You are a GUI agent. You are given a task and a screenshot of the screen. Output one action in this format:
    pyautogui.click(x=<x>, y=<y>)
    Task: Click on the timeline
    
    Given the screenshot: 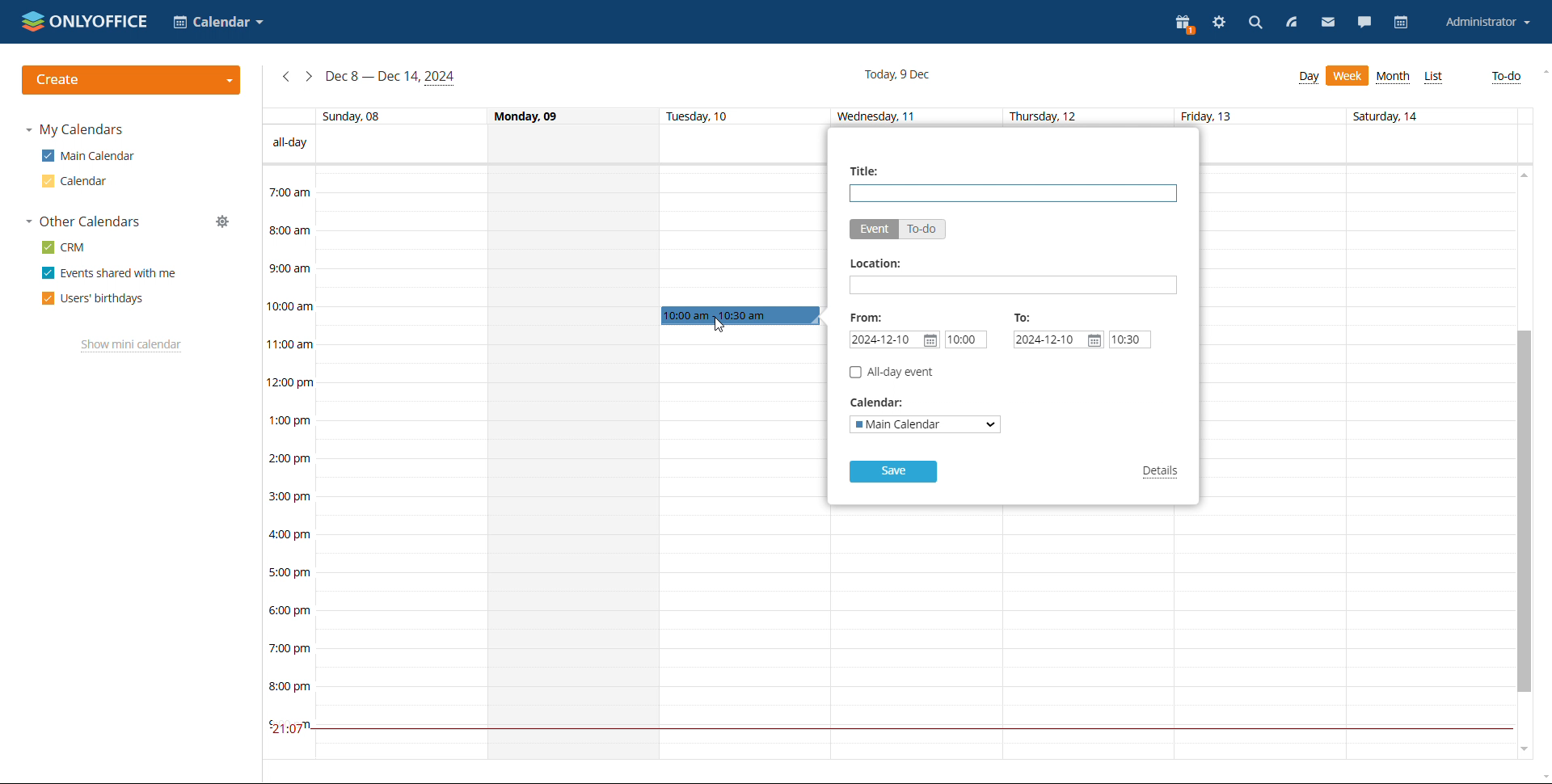 What is the action you would take?
    pyautogui.click(x=286, y=462)
    